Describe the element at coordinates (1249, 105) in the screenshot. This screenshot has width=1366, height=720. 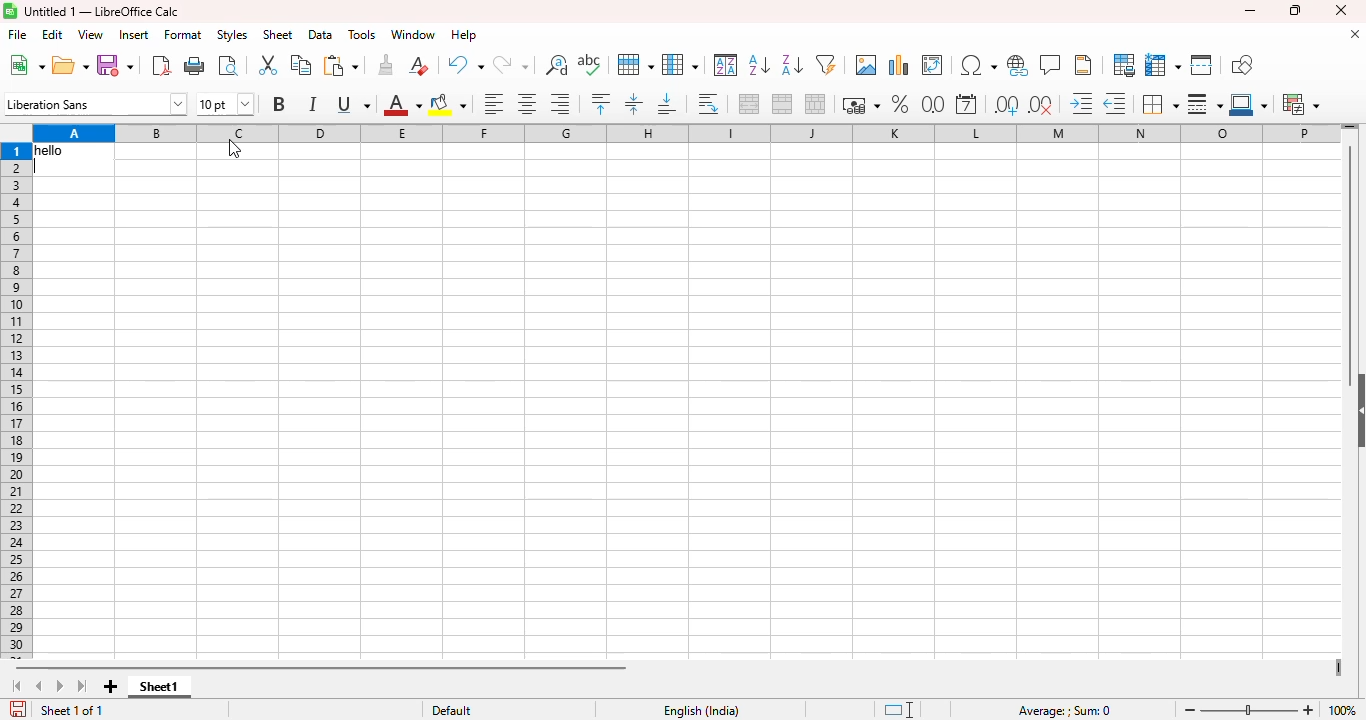
I see `border color` at that location.